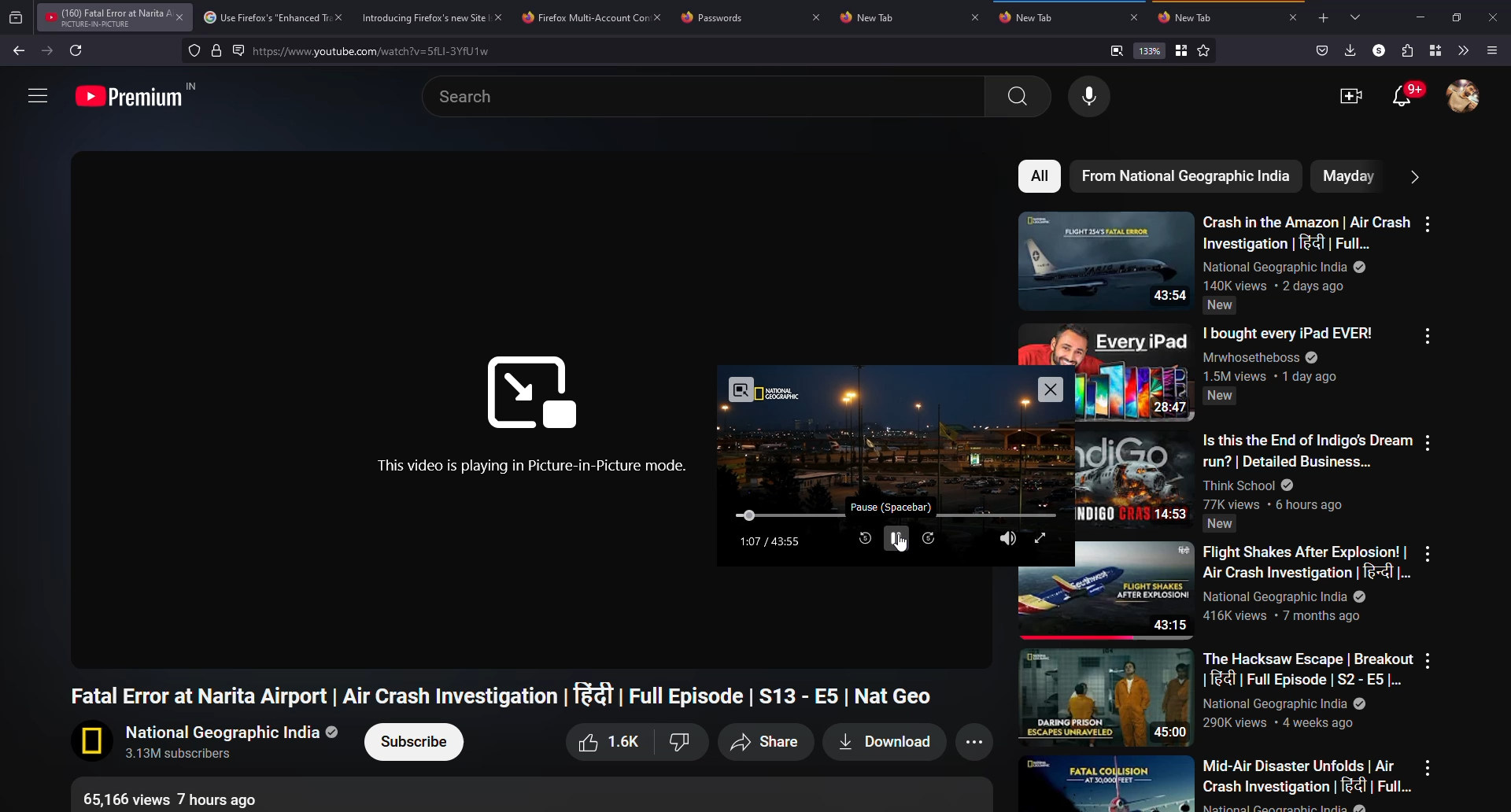  Describe the element at coordinates (1308, 690) in the screenshot. I see `video text description` at that location.